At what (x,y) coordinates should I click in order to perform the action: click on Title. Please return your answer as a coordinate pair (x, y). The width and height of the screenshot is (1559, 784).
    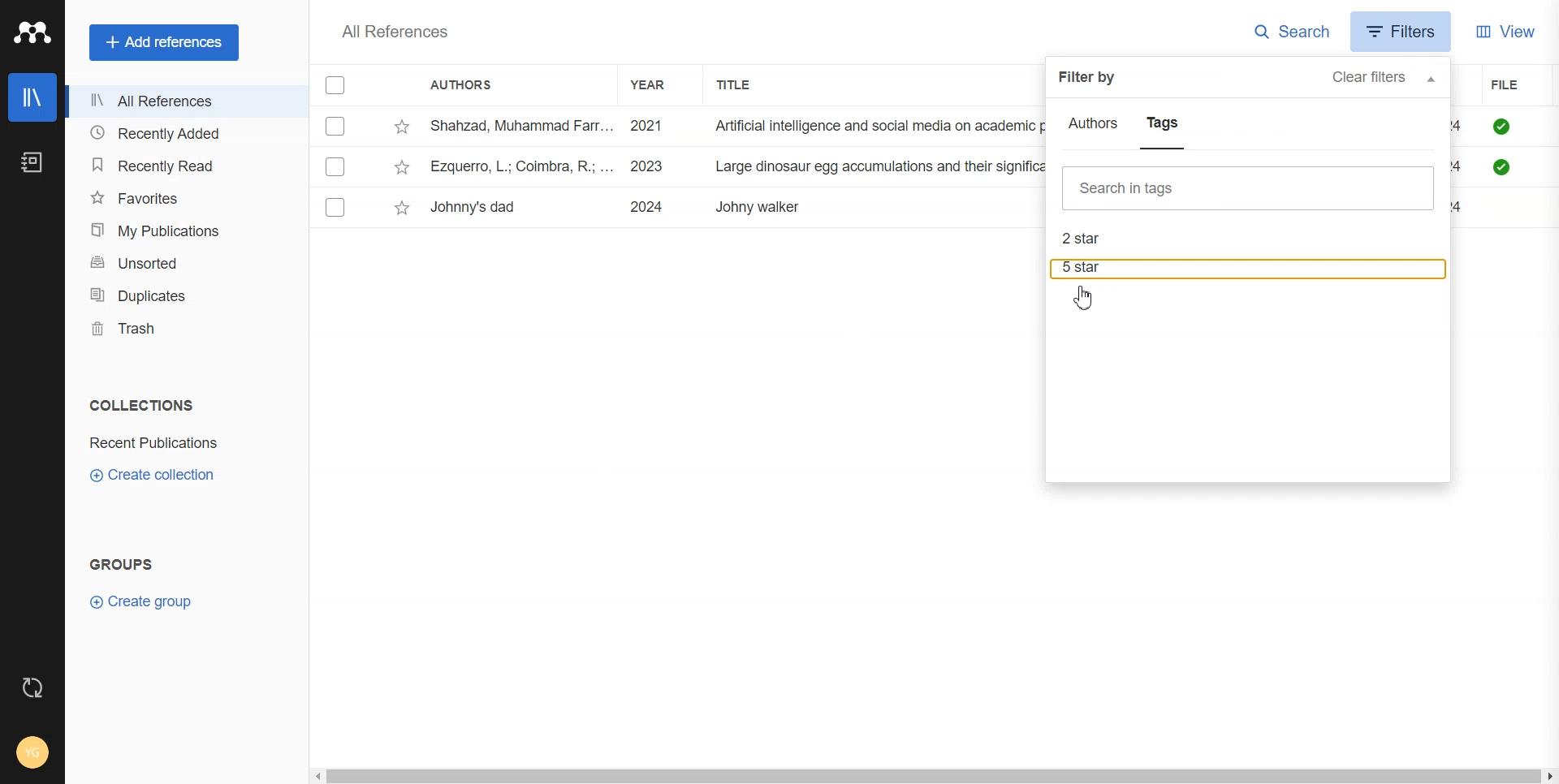
    Looking at the image, I should click on (748, 84).